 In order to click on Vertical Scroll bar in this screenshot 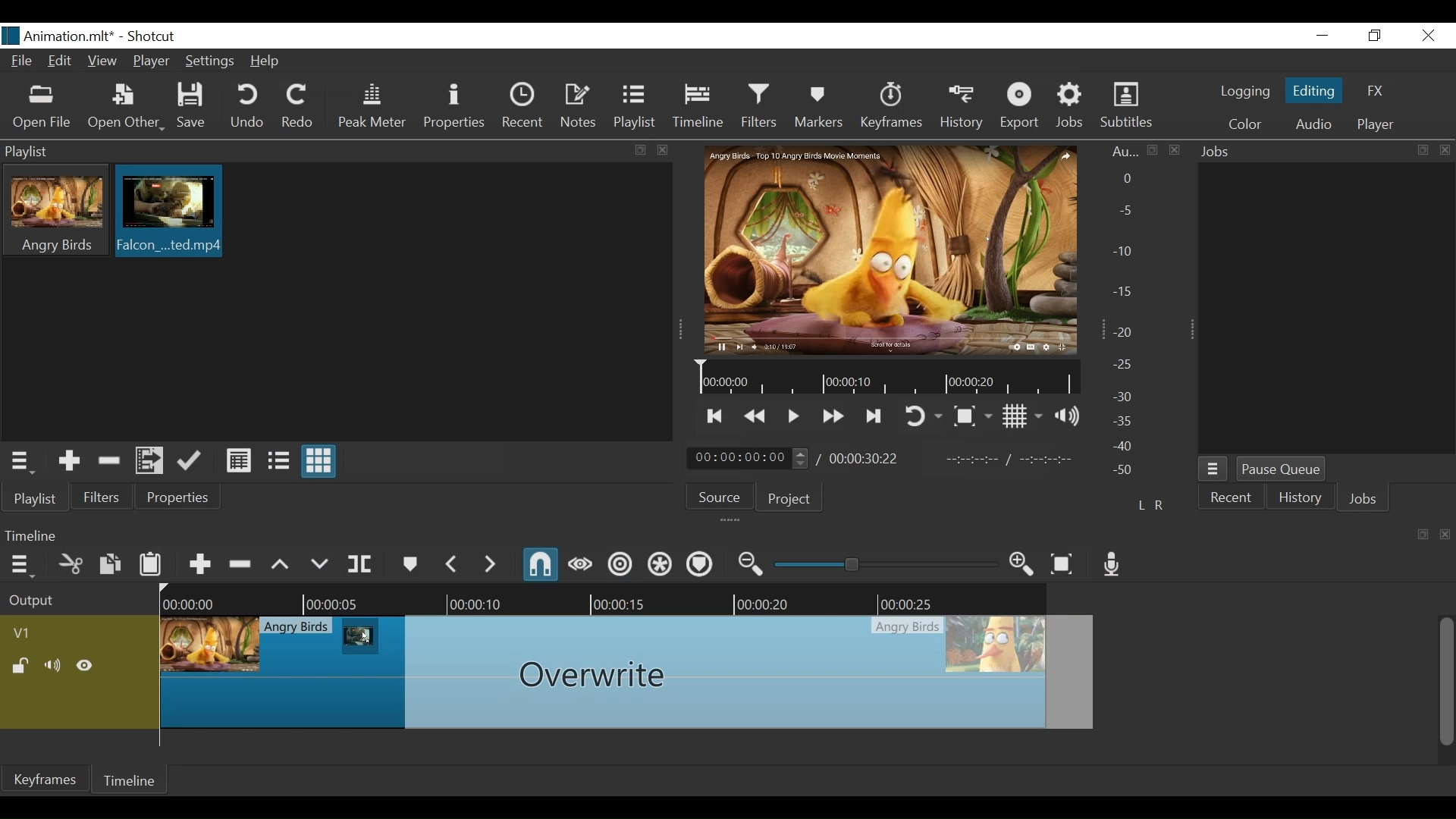, I will do `click(1447, 682)`.